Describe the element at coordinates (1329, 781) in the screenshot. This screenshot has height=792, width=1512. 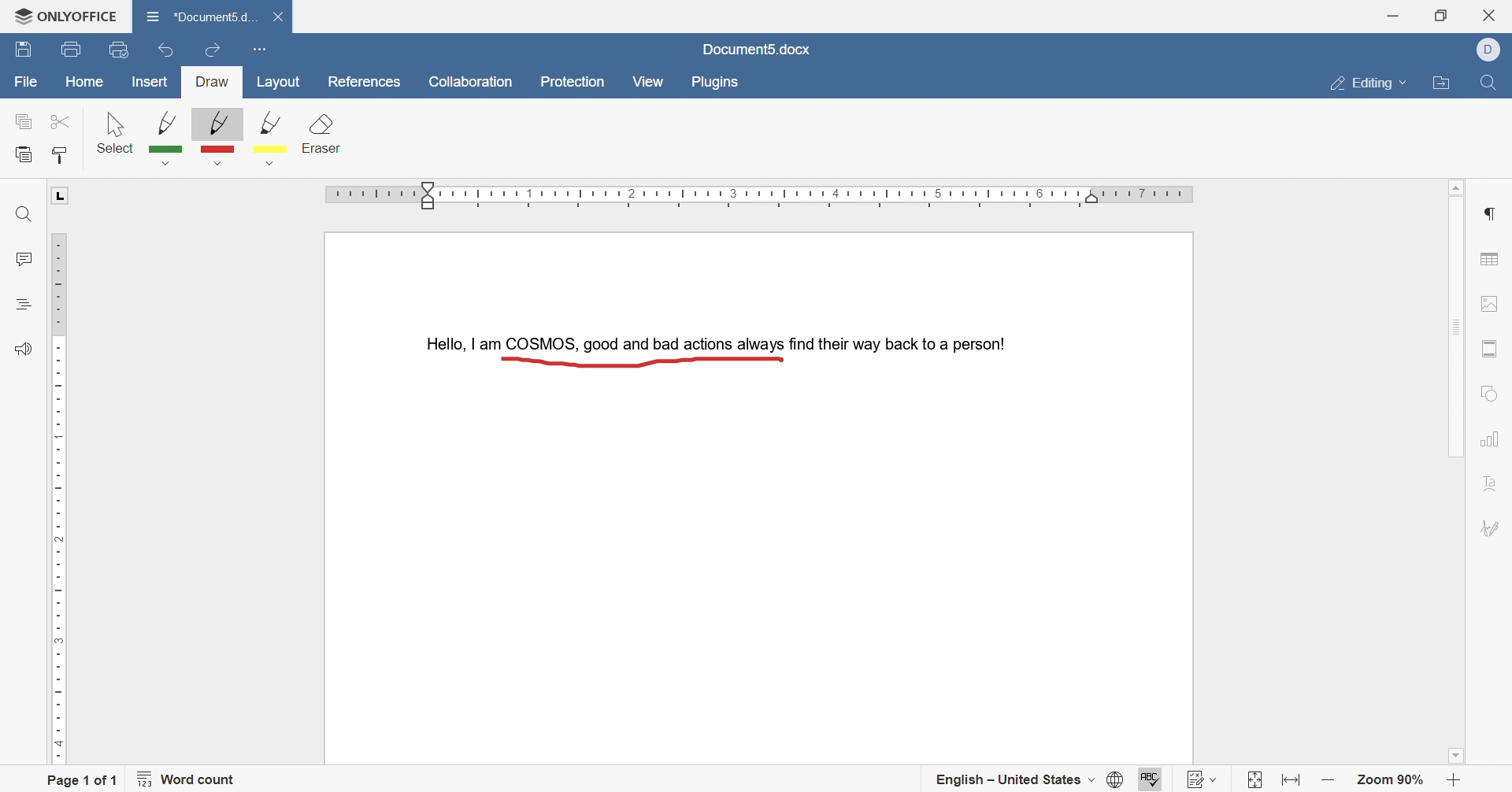
I see `zoom out` at that location.